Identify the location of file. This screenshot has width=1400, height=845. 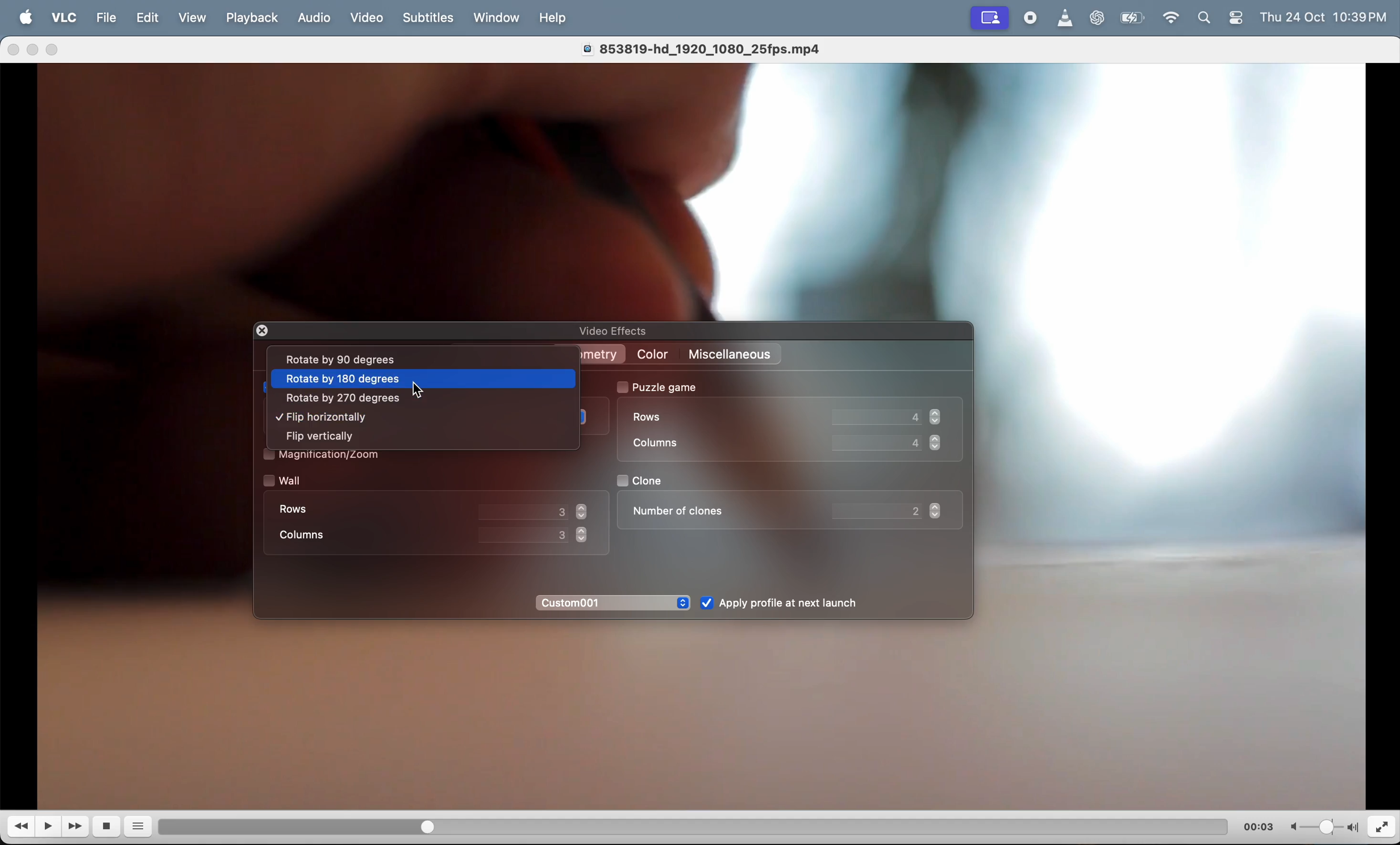
(106, 18).